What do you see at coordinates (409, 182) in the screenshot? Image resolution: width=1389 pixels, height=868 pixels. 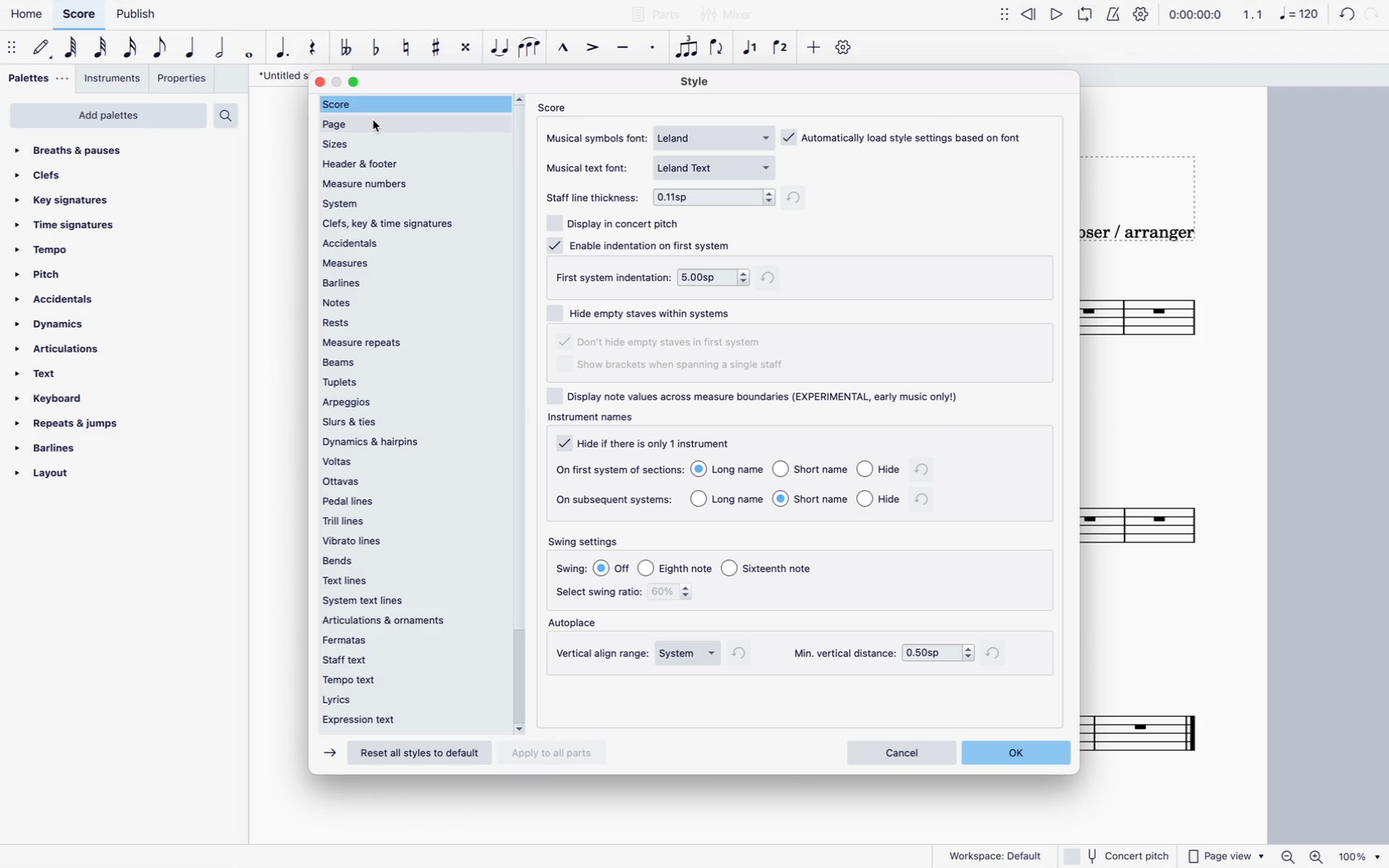 I see `measure numbers` at bounding box center [409, 182].